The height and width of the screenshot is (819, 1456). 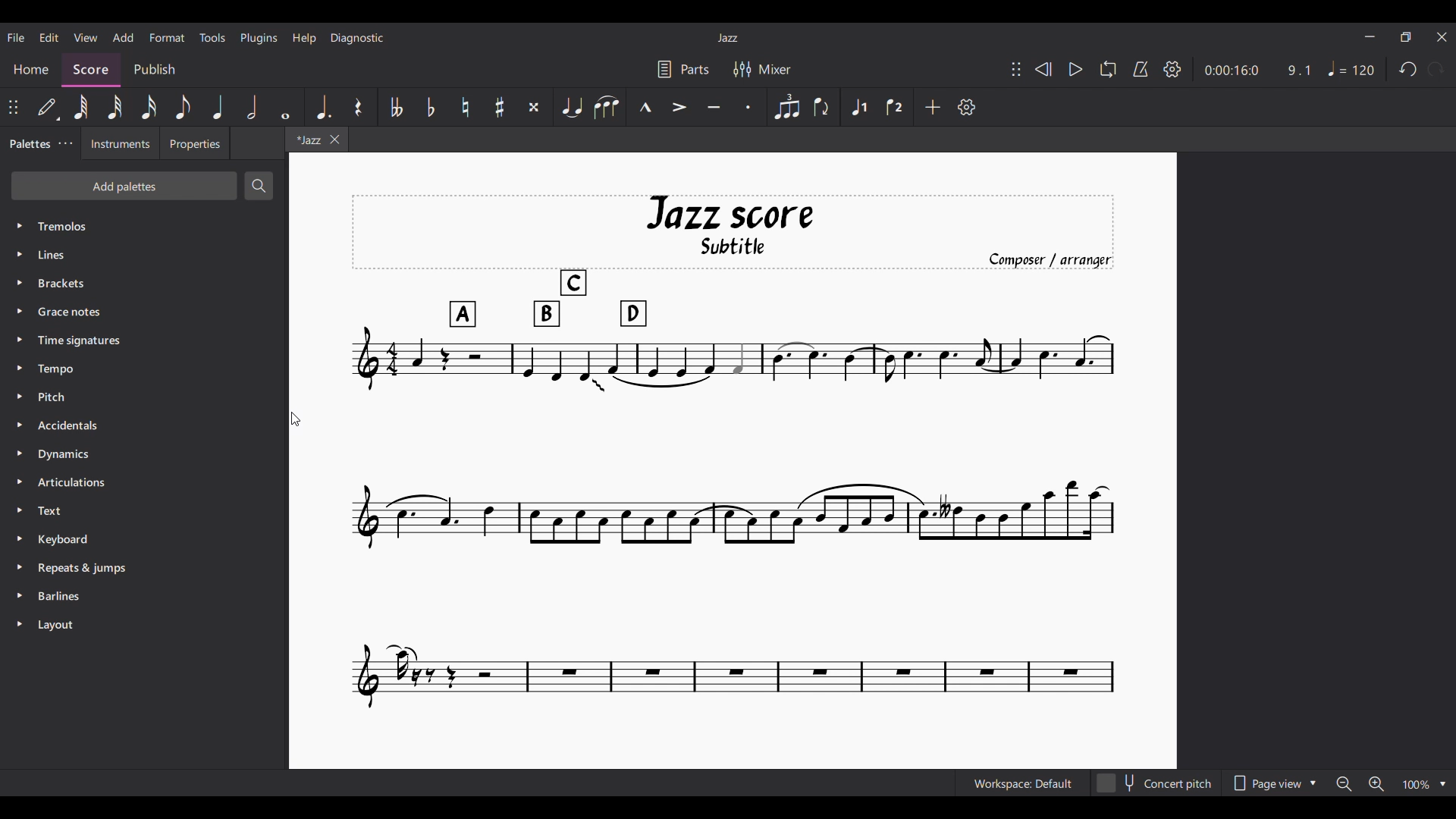 I want to click on Accidentals, so click(x=144, y=425).